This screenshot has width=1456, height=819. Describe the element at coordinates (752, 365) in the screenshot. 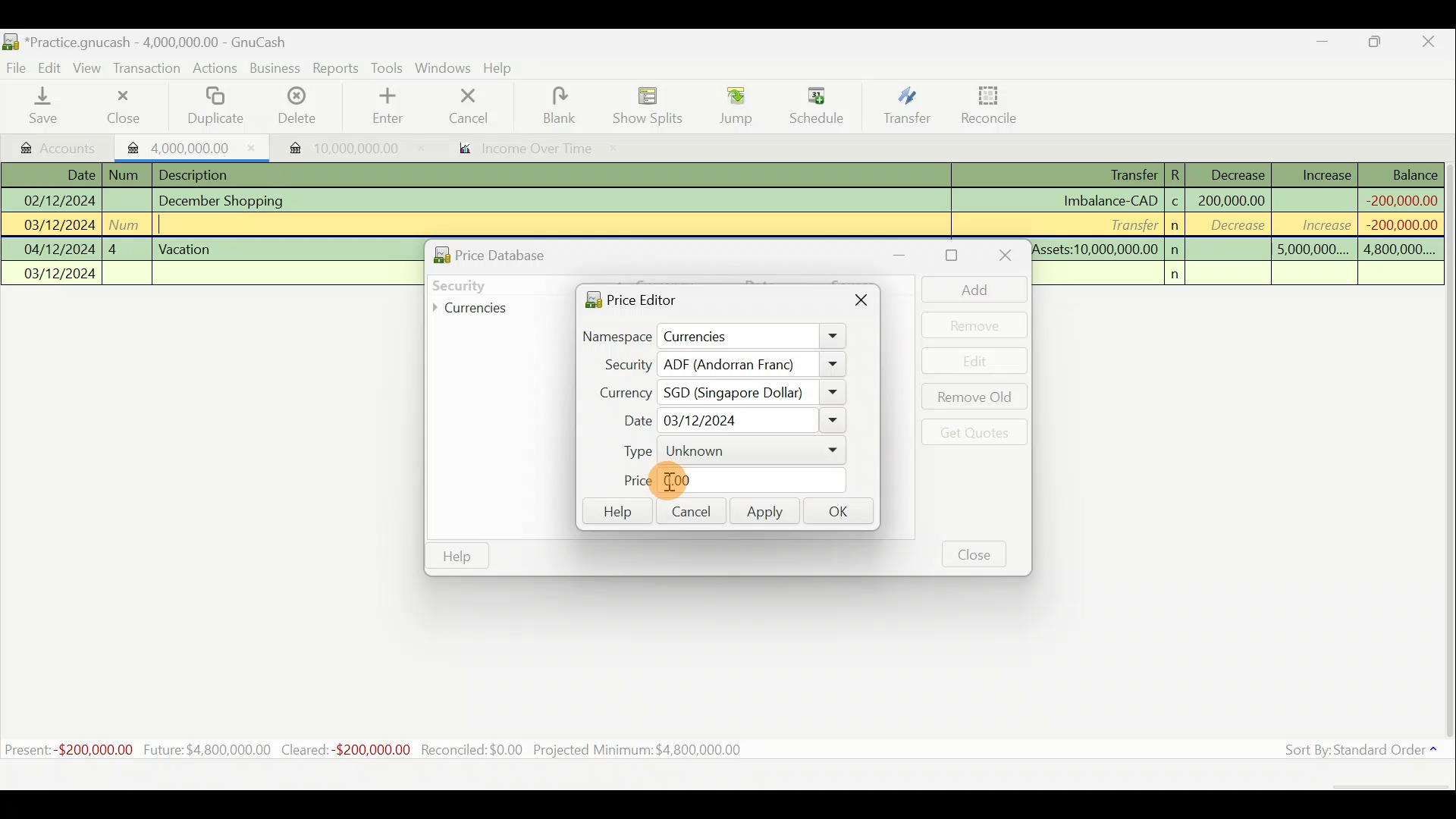

I see `ADF` at that location.